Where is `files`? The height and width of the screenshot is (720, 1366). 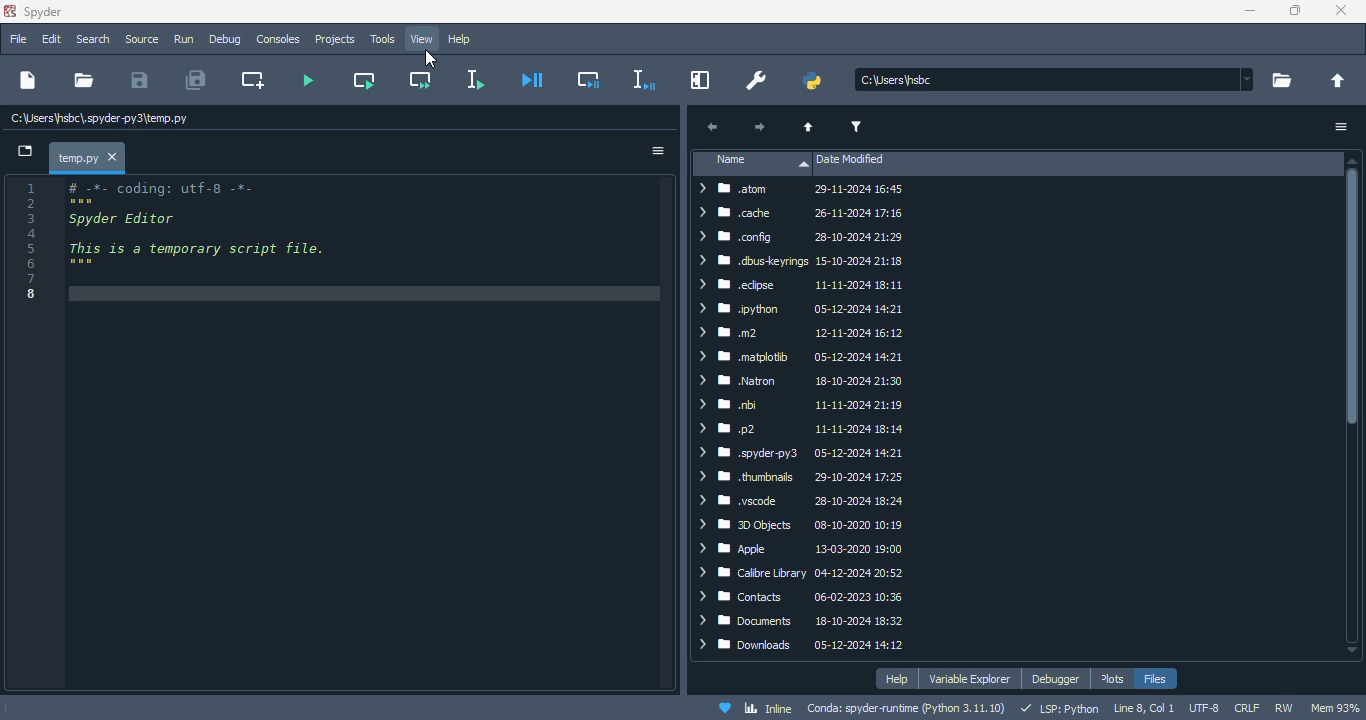 files is located at coordinates (1156, 679).